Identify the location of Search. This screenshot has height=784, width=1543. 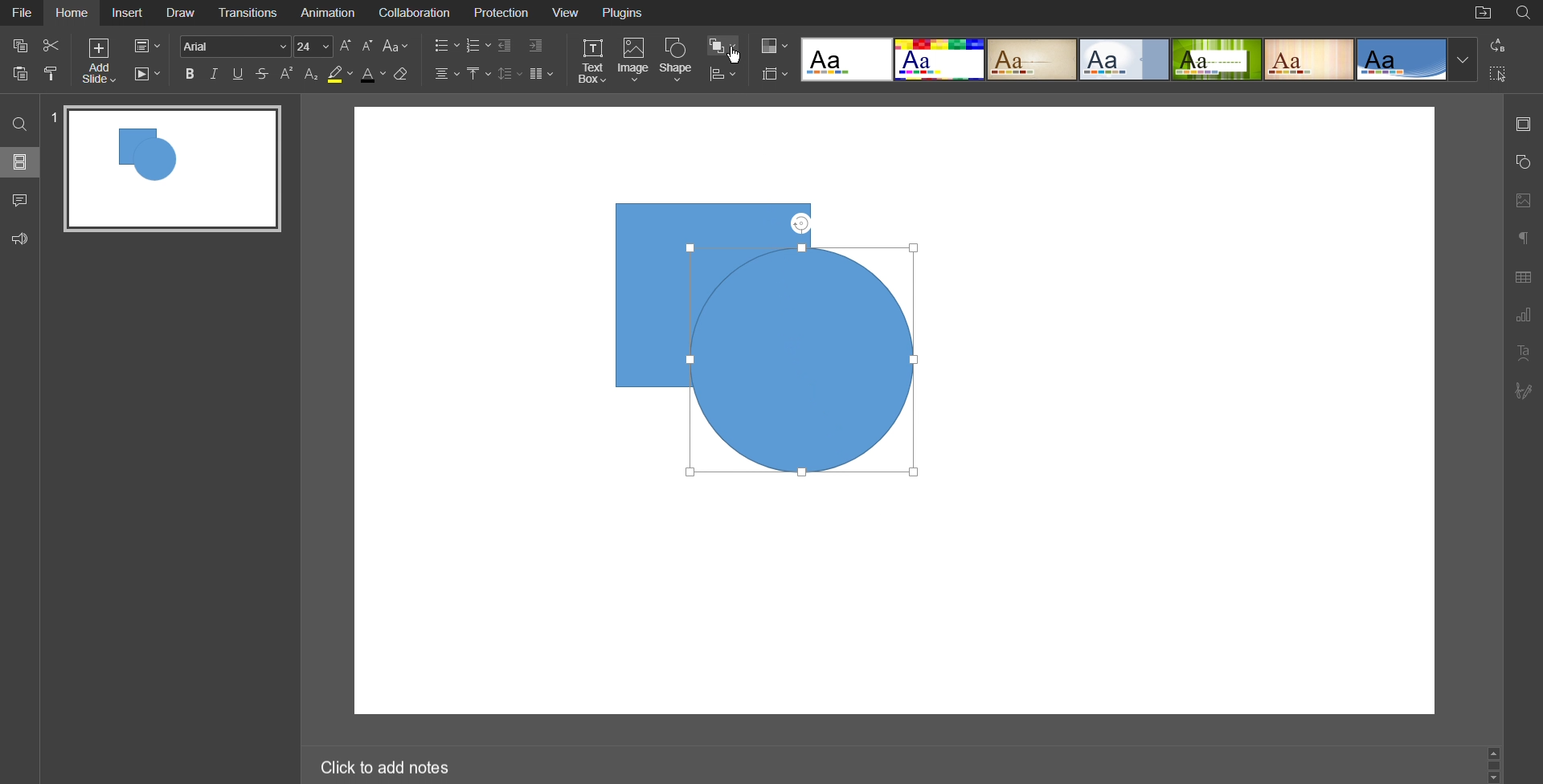
(1525, 14).